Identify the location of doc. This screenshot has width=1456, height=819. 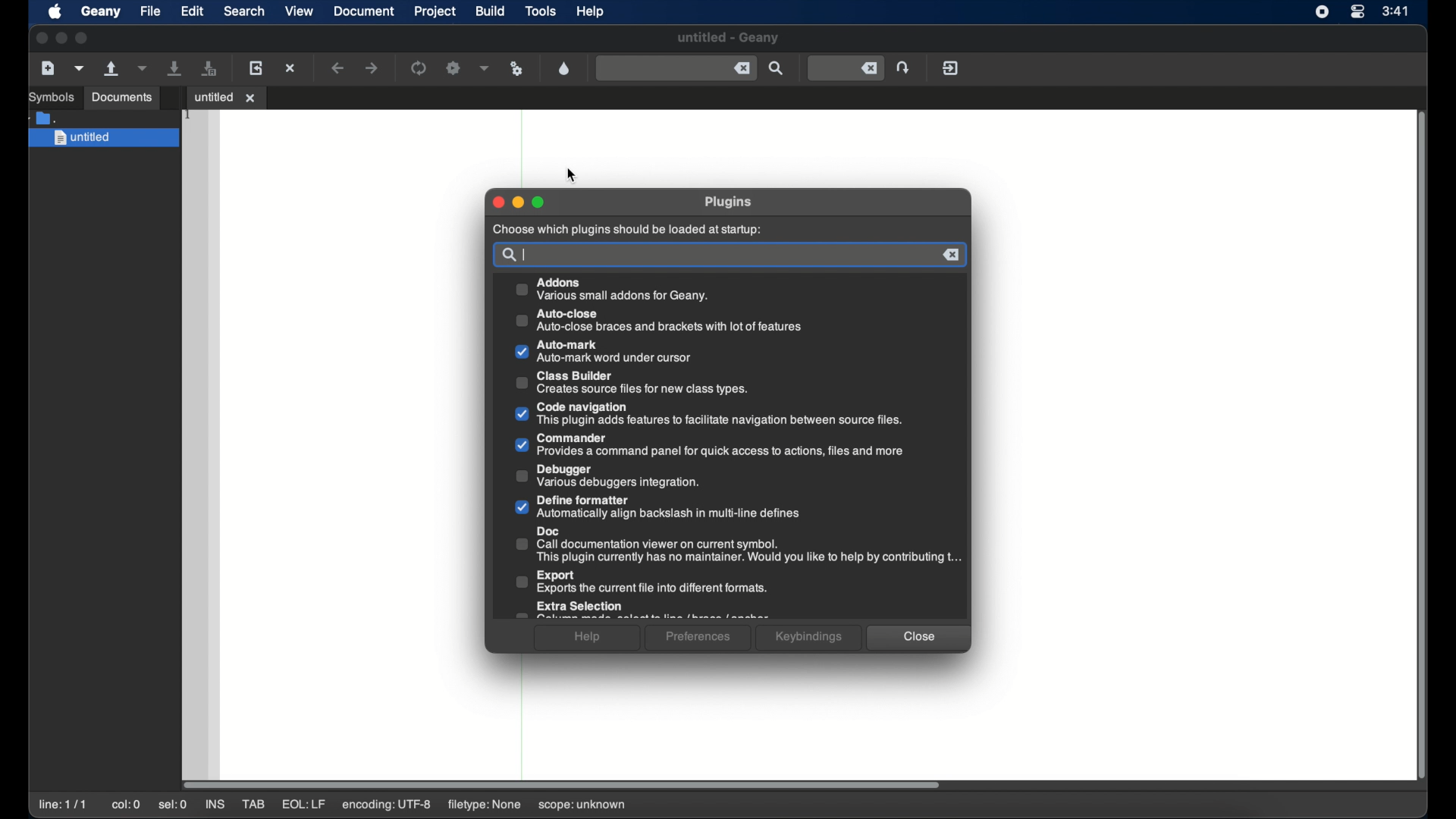
(736, 544).